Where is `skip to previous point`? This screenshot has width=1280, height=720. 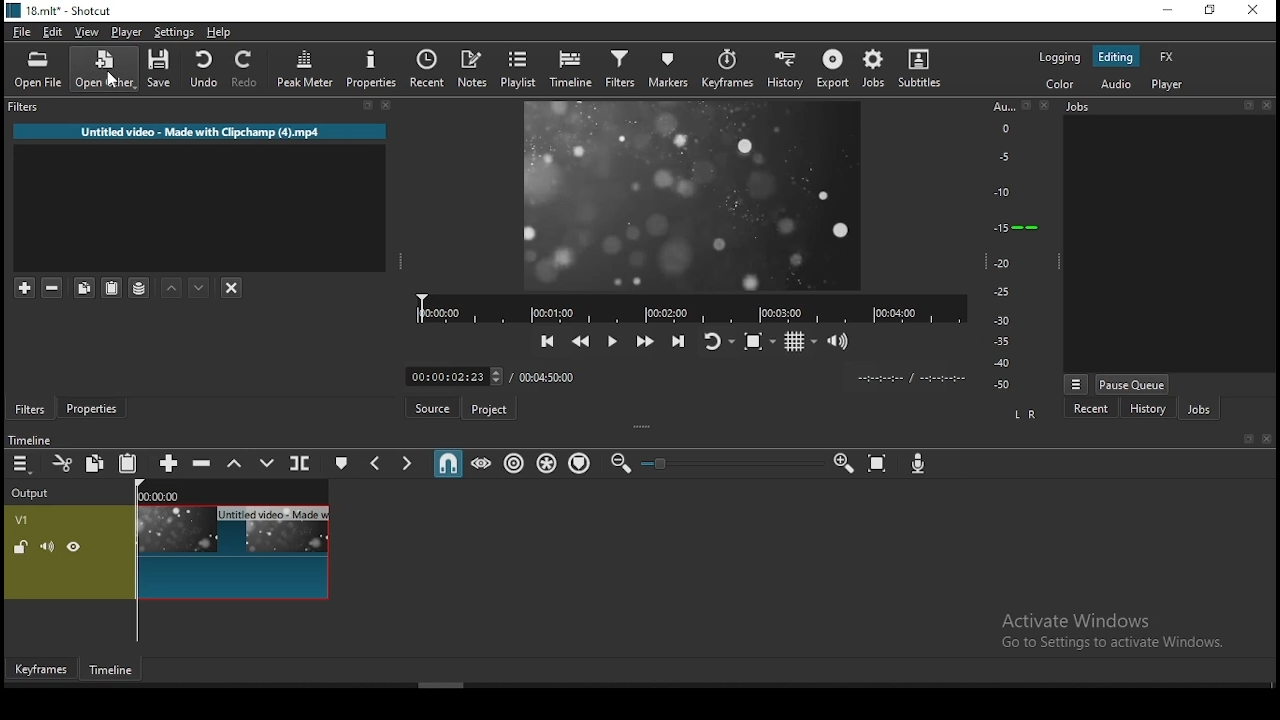 skip to previous point is located at coordinates (547, 341).